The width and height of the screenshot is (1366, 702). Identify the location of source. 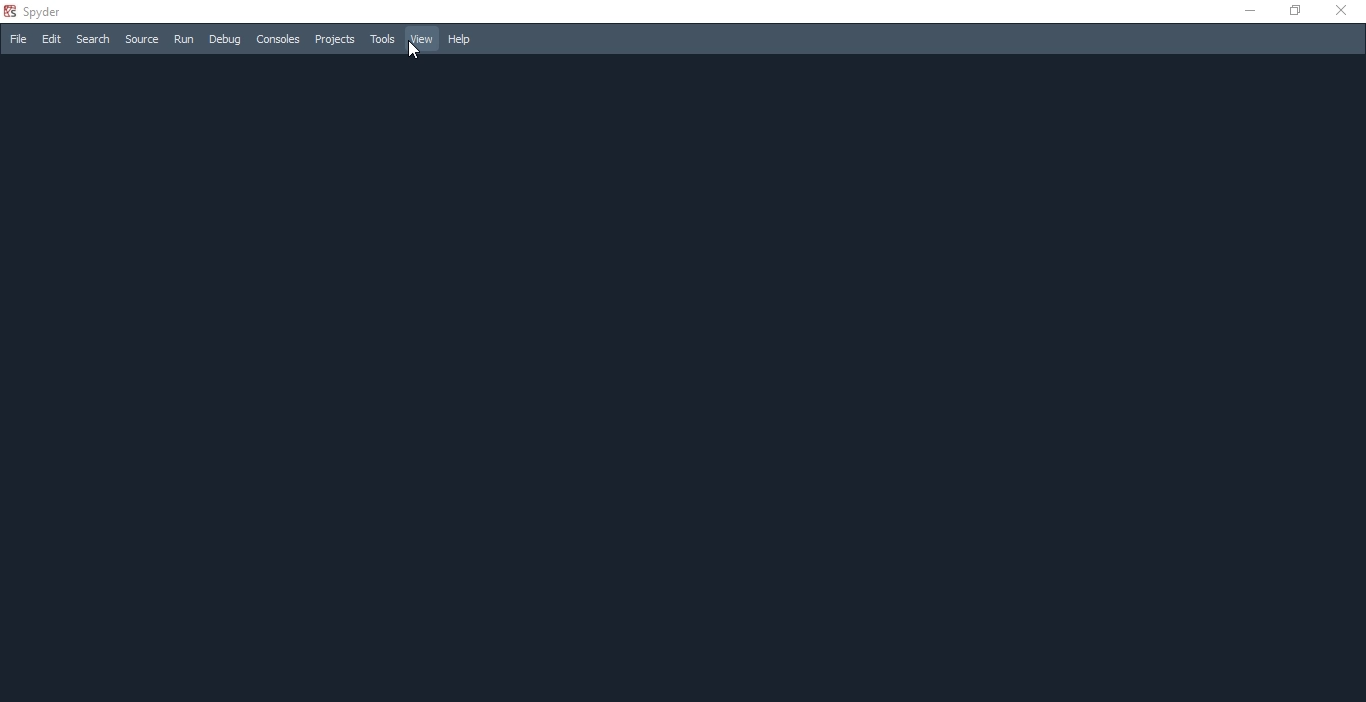
(142, 41).